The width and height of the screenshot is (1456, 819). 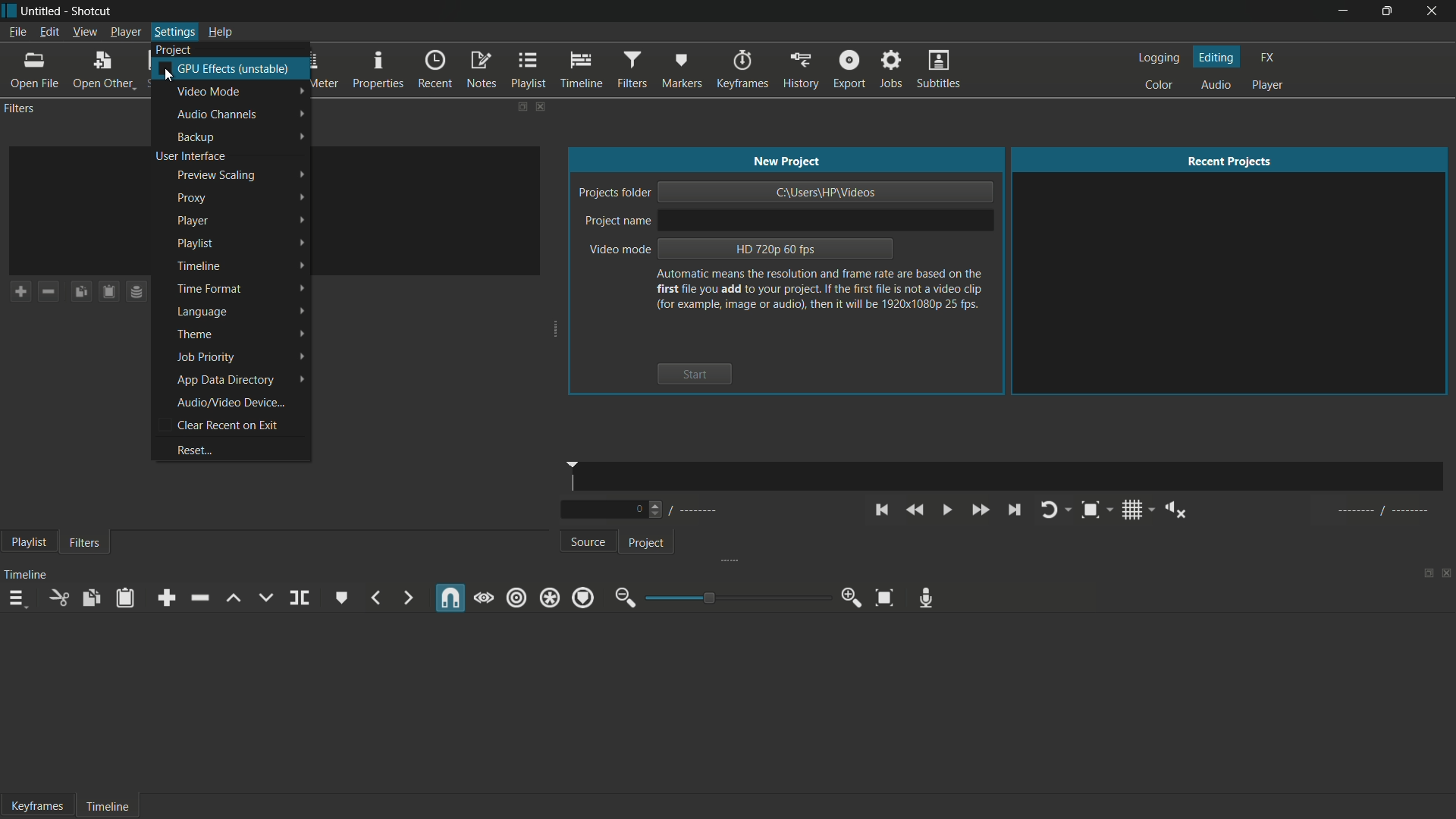 I want to click on lift, so click(x=231, y=598).